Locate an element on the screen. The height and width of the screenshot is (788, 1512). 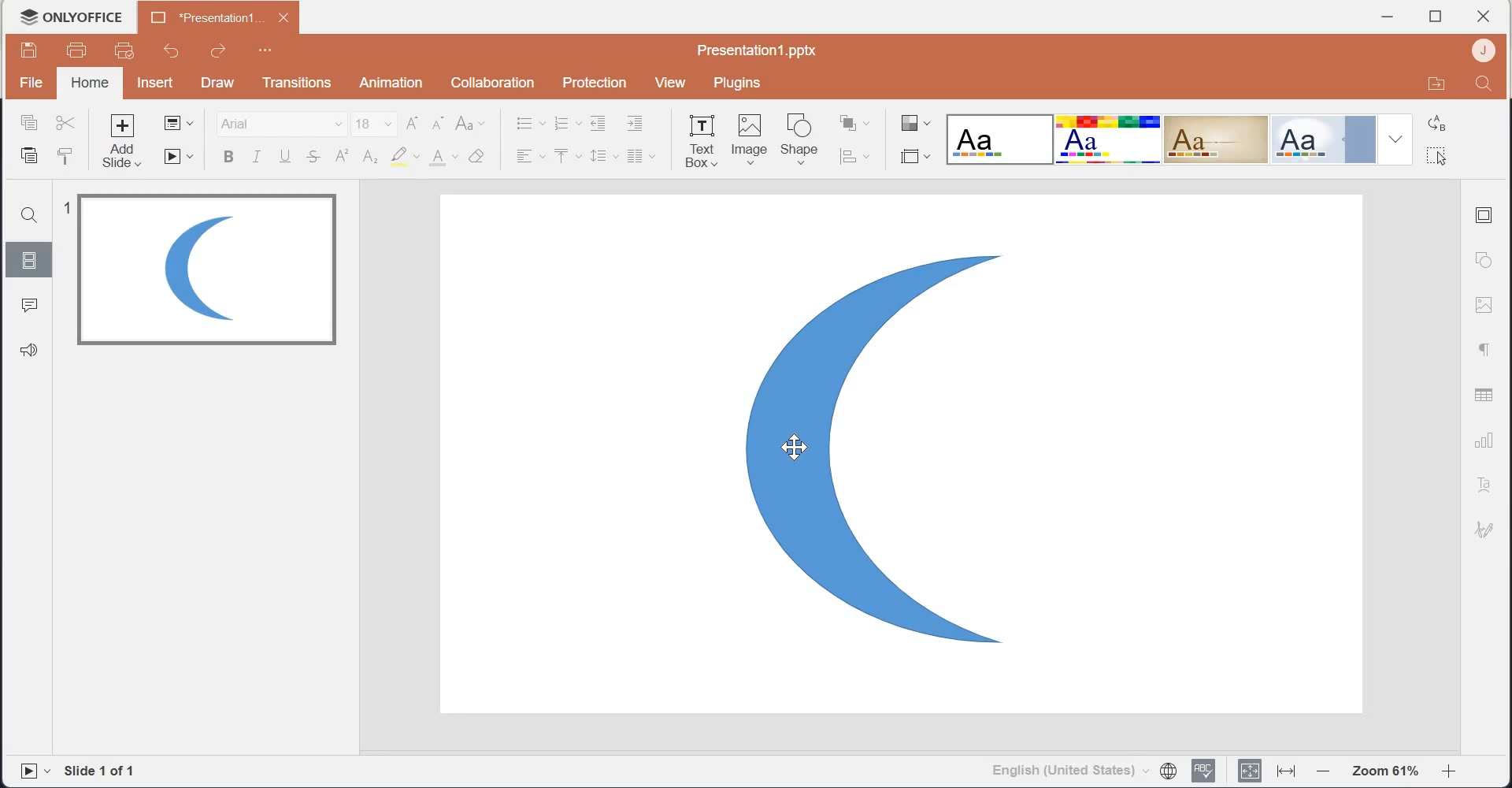
Plugins is located at coordinates (735, 84).